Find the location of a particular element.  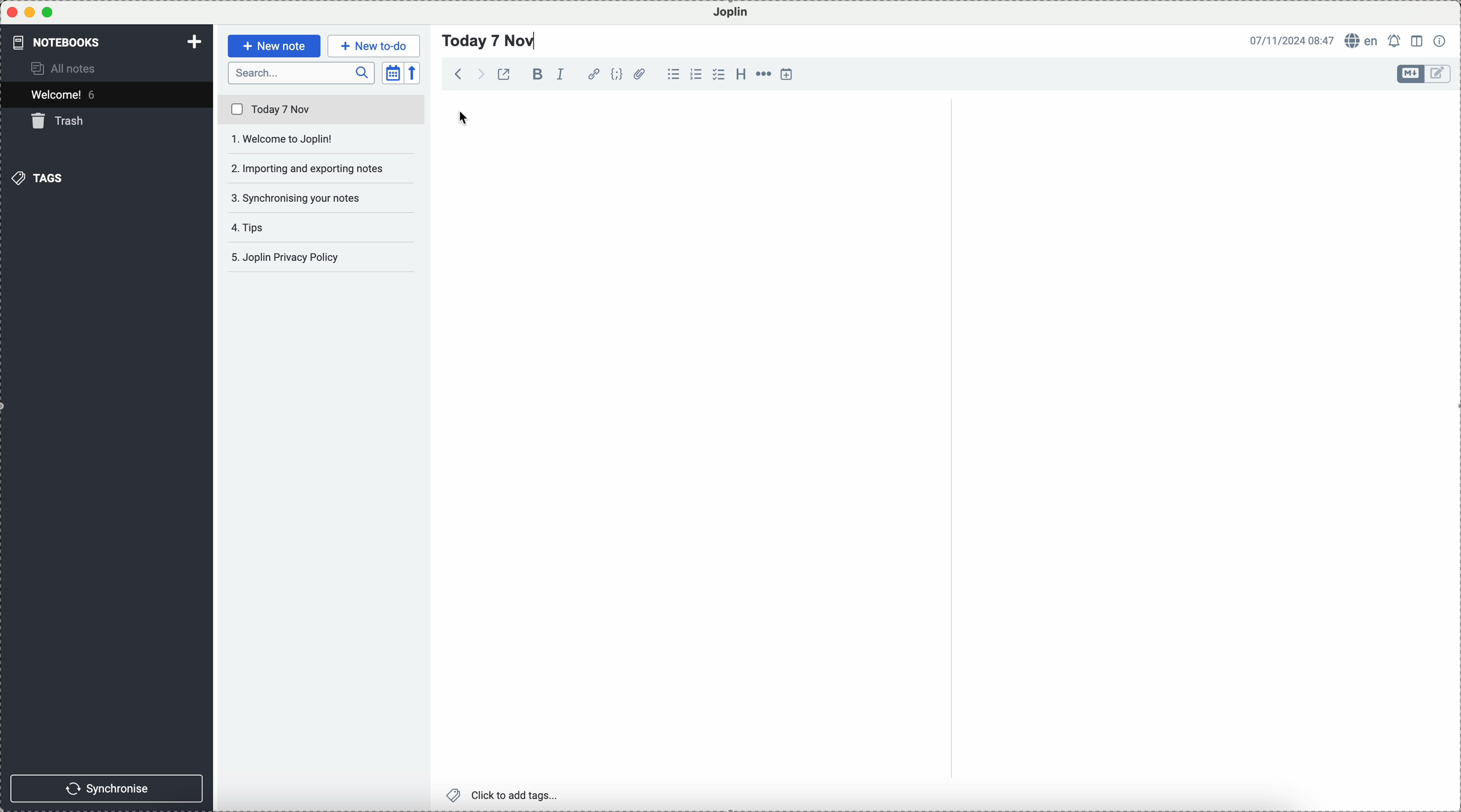

synchronise button is located at coordinates (106, 789).